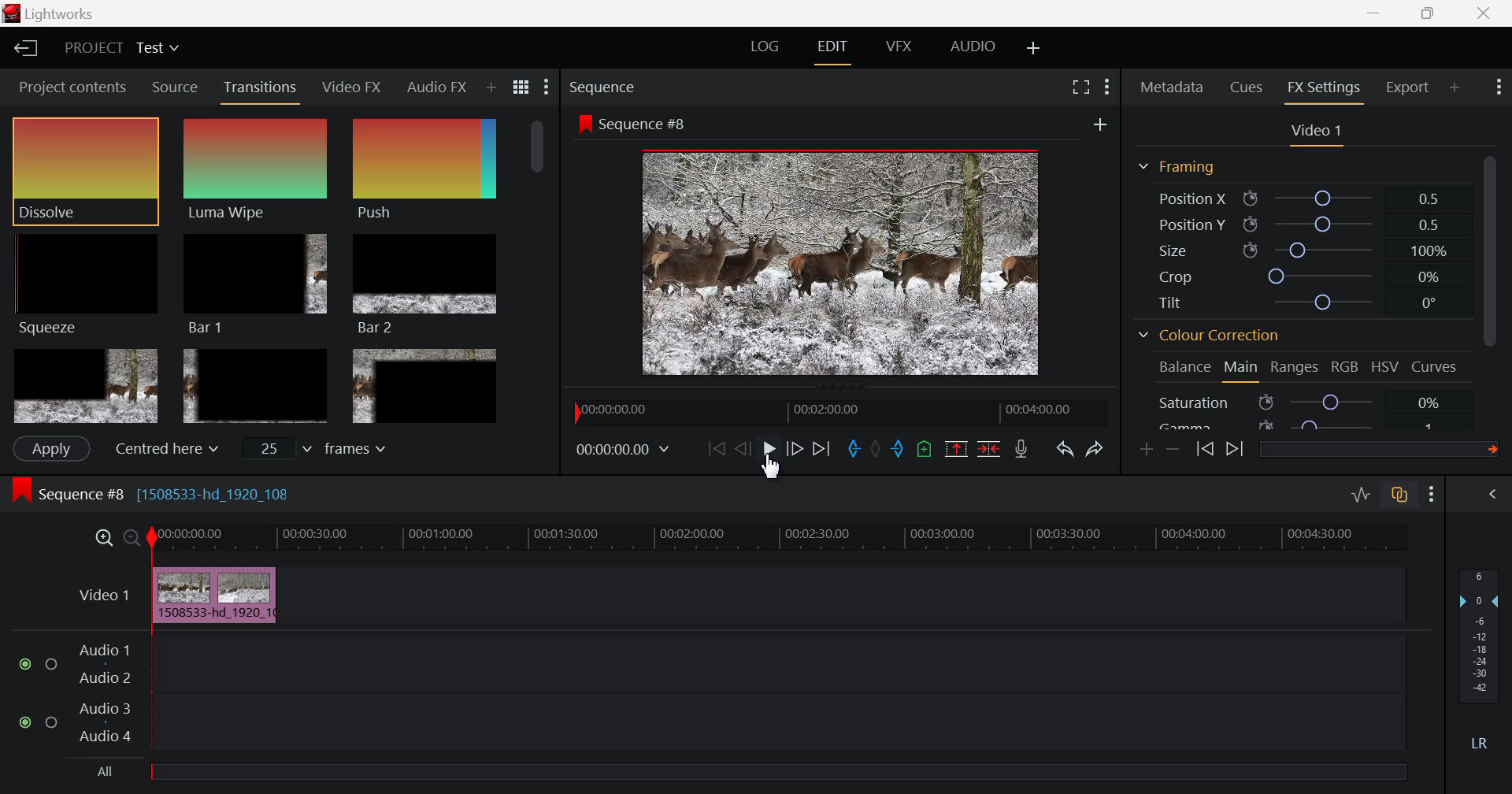  Describe the element at coordinates (846, 265) in the screenshot. I see `Image` at that location.